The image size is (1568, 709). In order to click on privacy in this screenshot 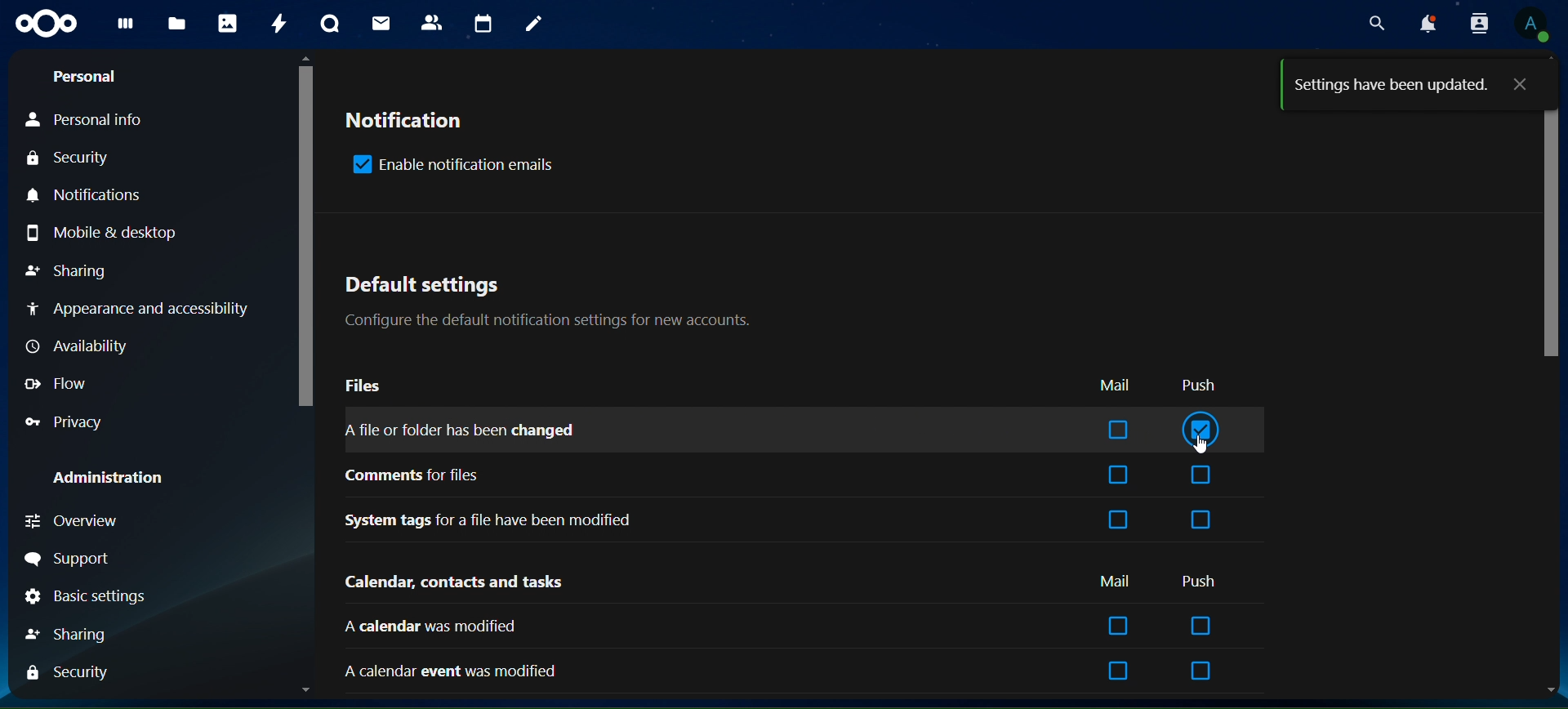, I will do `click(63, 421)`.